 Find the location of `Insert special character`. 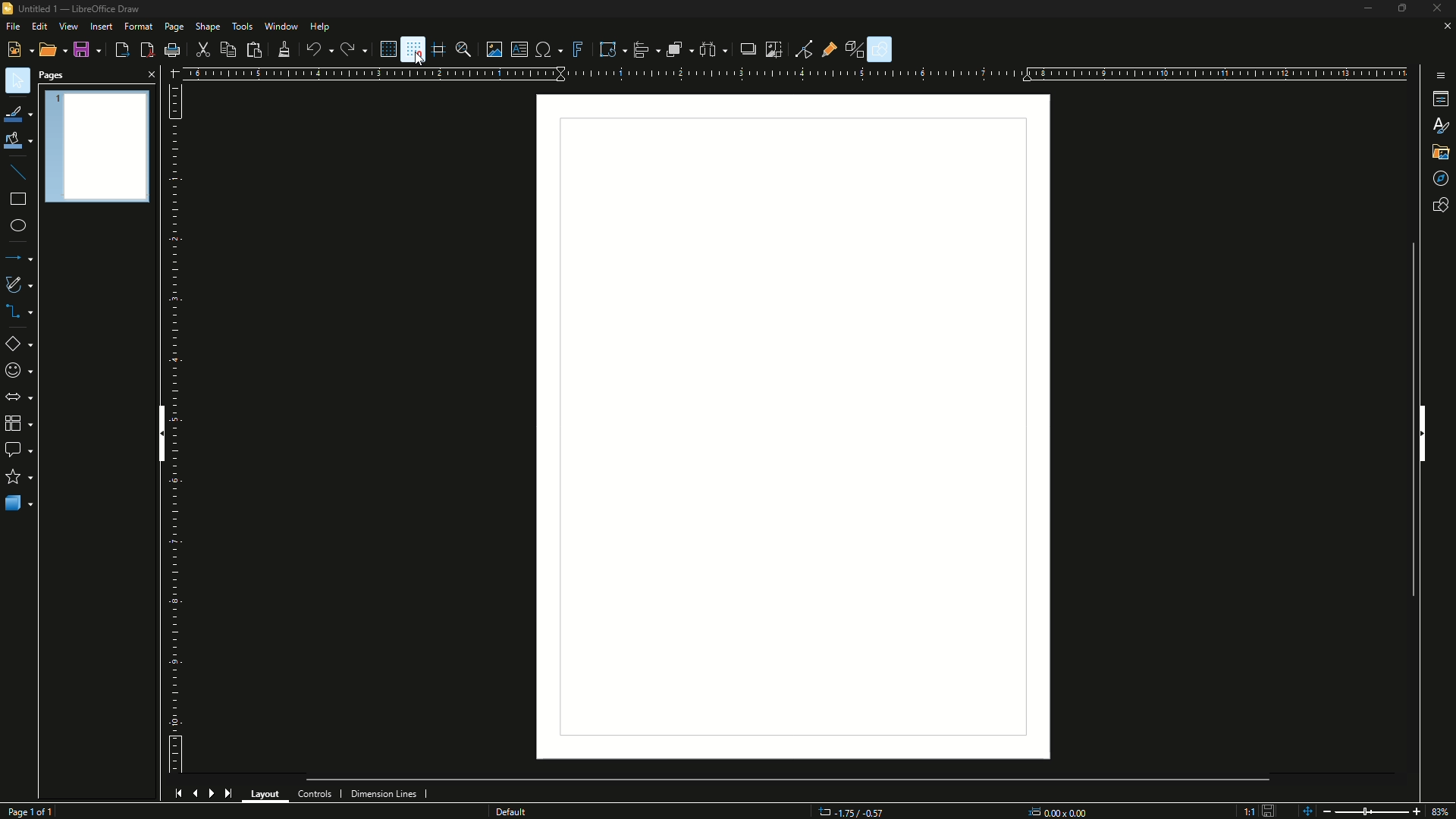

Insert special character is located at coordinates (542, 51).